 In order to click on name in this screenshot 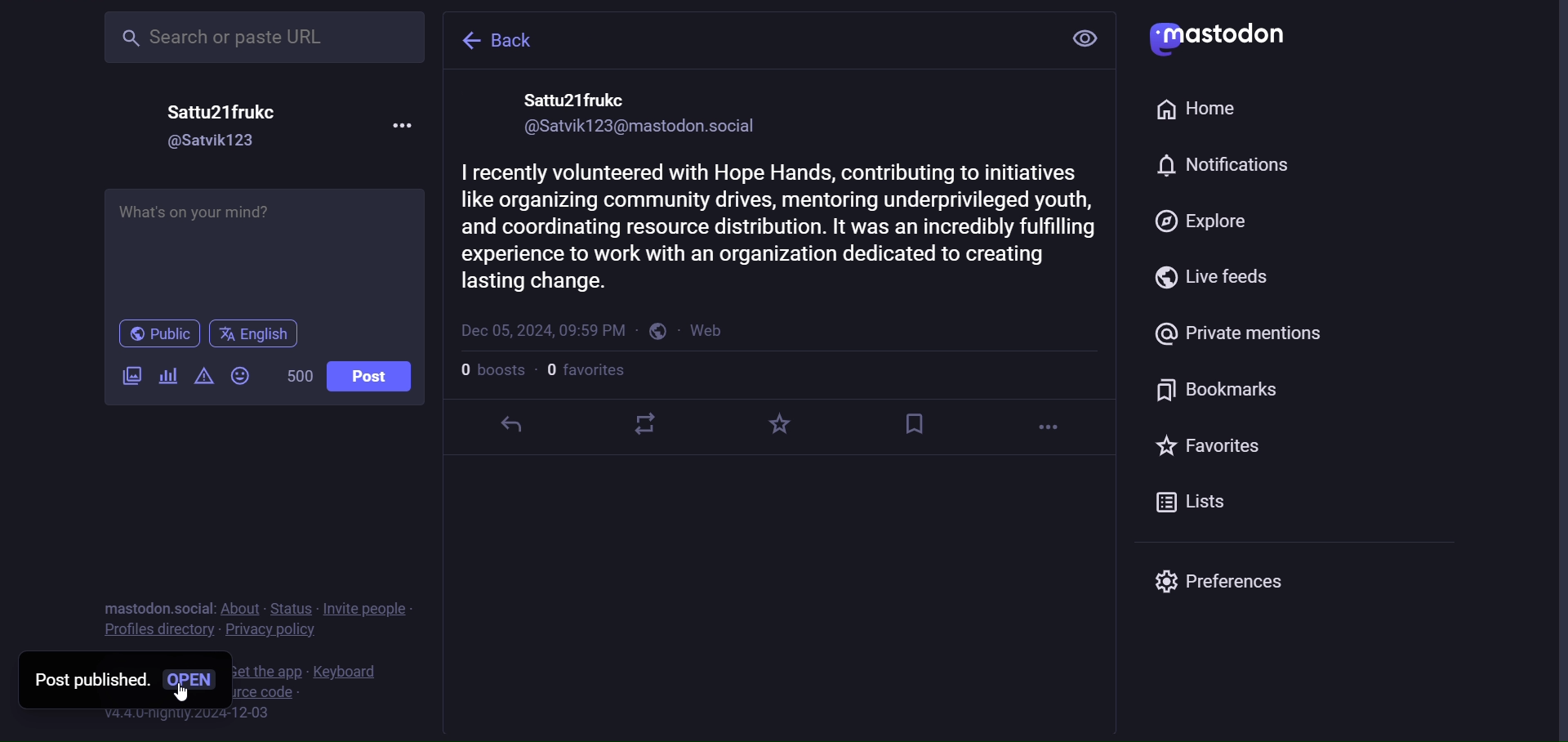, I will do `click(220, 111)`.